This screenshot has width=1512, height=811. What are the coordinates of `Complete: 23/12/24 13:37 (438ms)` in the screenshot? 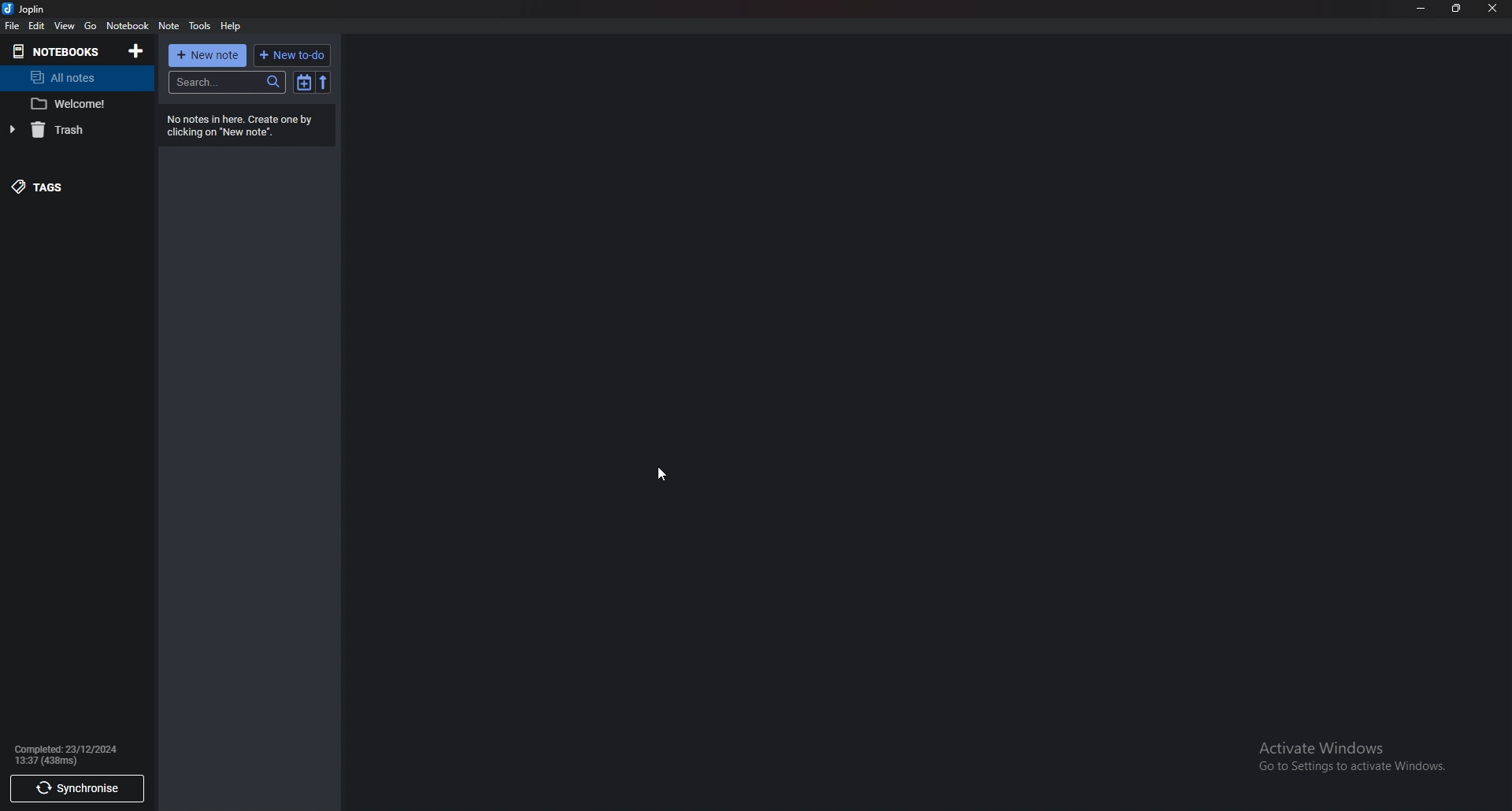 It's located at (66, 757).